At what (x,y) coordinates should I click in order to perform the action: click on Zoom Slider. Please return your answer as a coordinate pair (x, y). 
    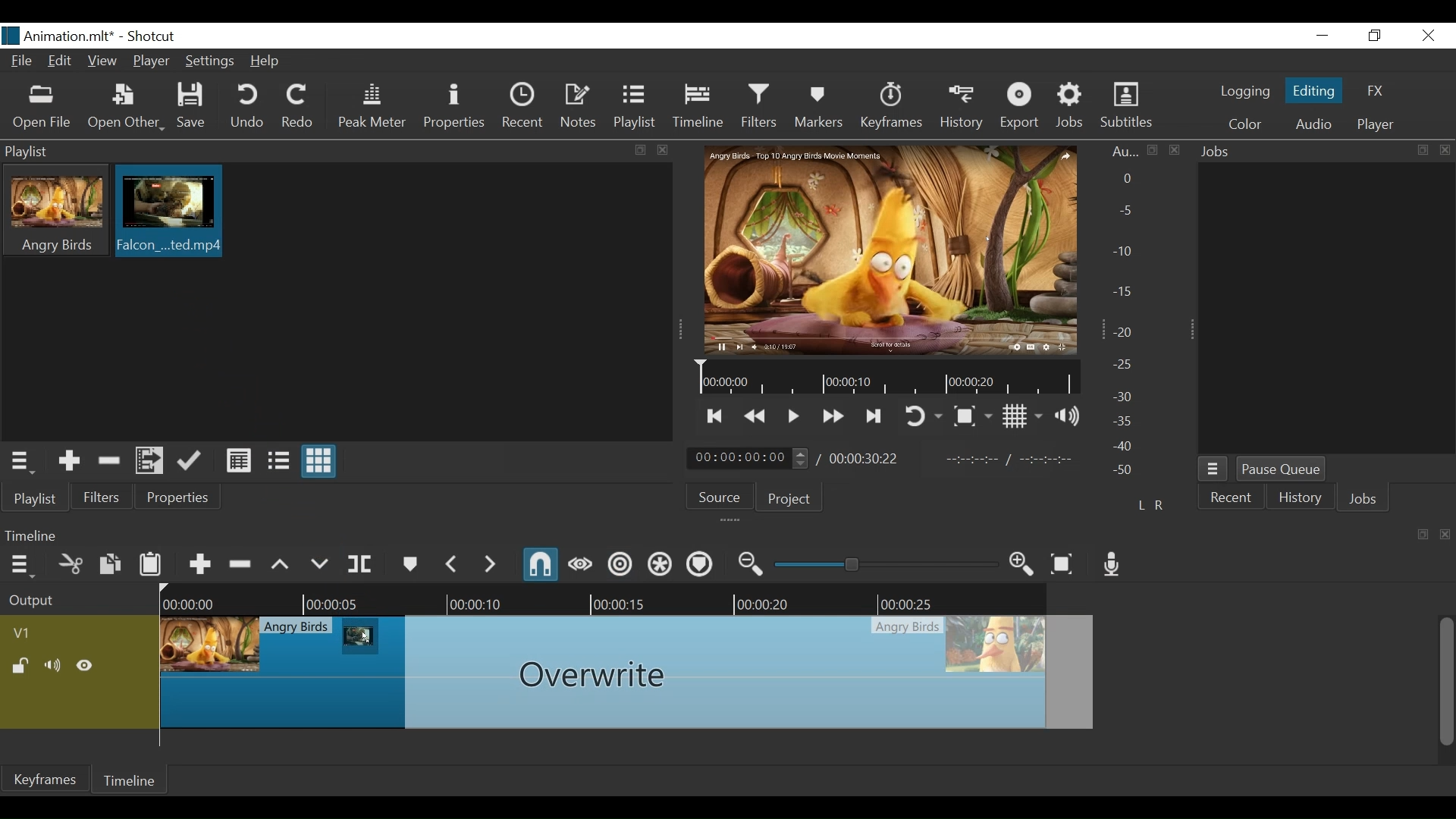
    Looking at the image, I should click on (886, 563).